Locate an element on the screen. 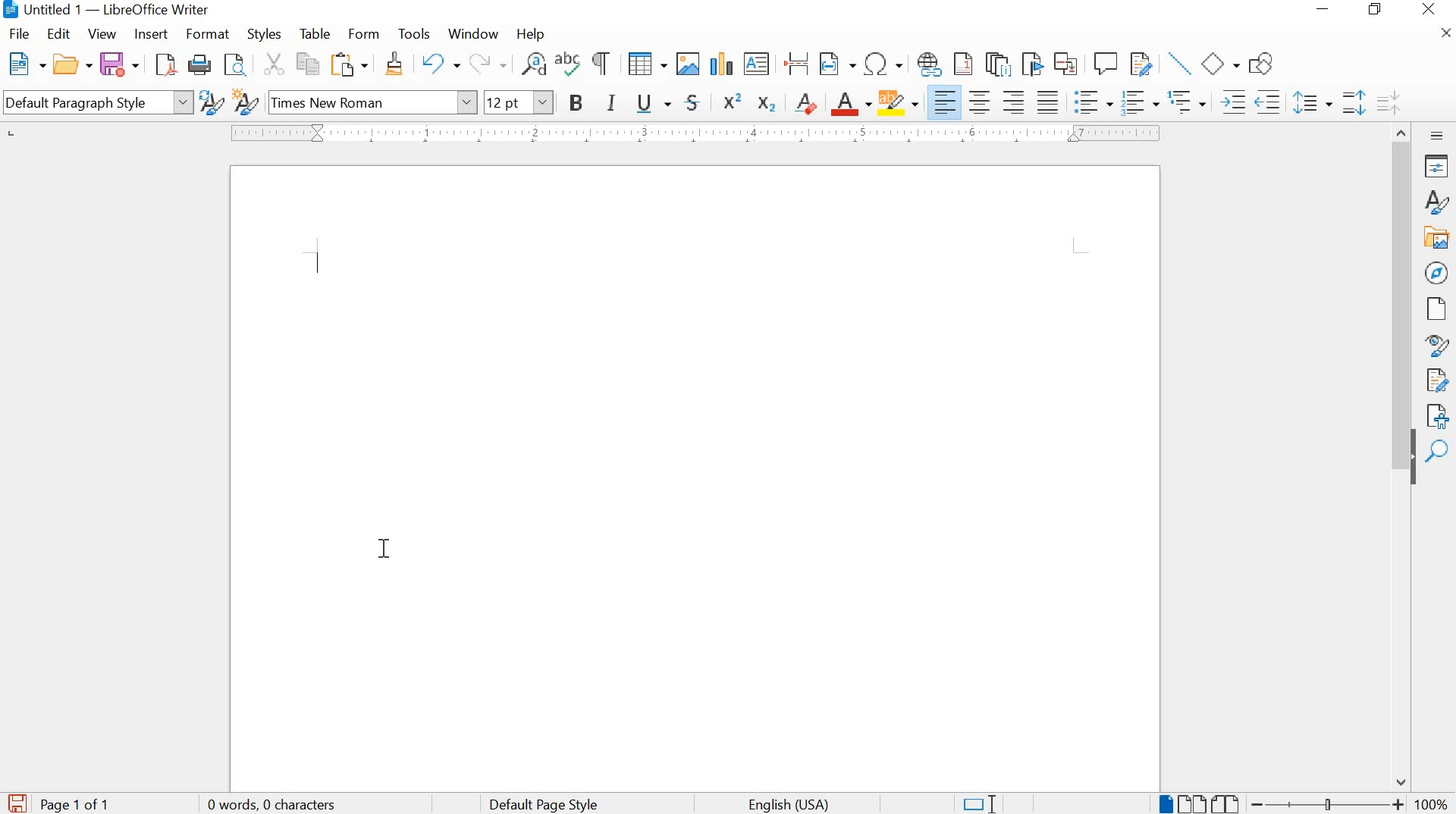 Image resolution: width=1456 pixels, height=814 pixels. SAVE AS PDF is located at coordinates (165, 66).